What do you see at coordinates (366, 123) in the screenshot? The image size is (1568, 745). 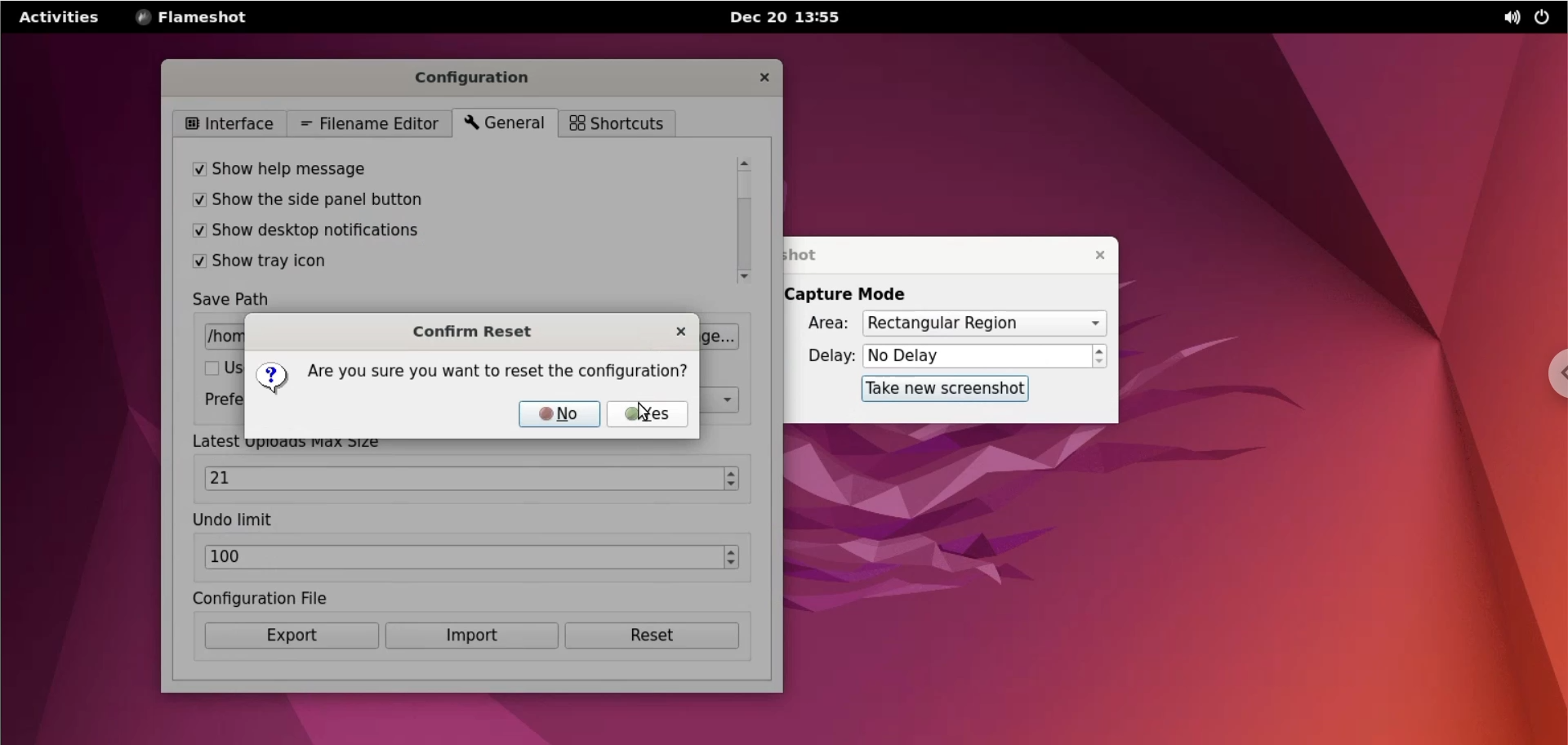 I see `filename editor` at bounding box center [366, 123].